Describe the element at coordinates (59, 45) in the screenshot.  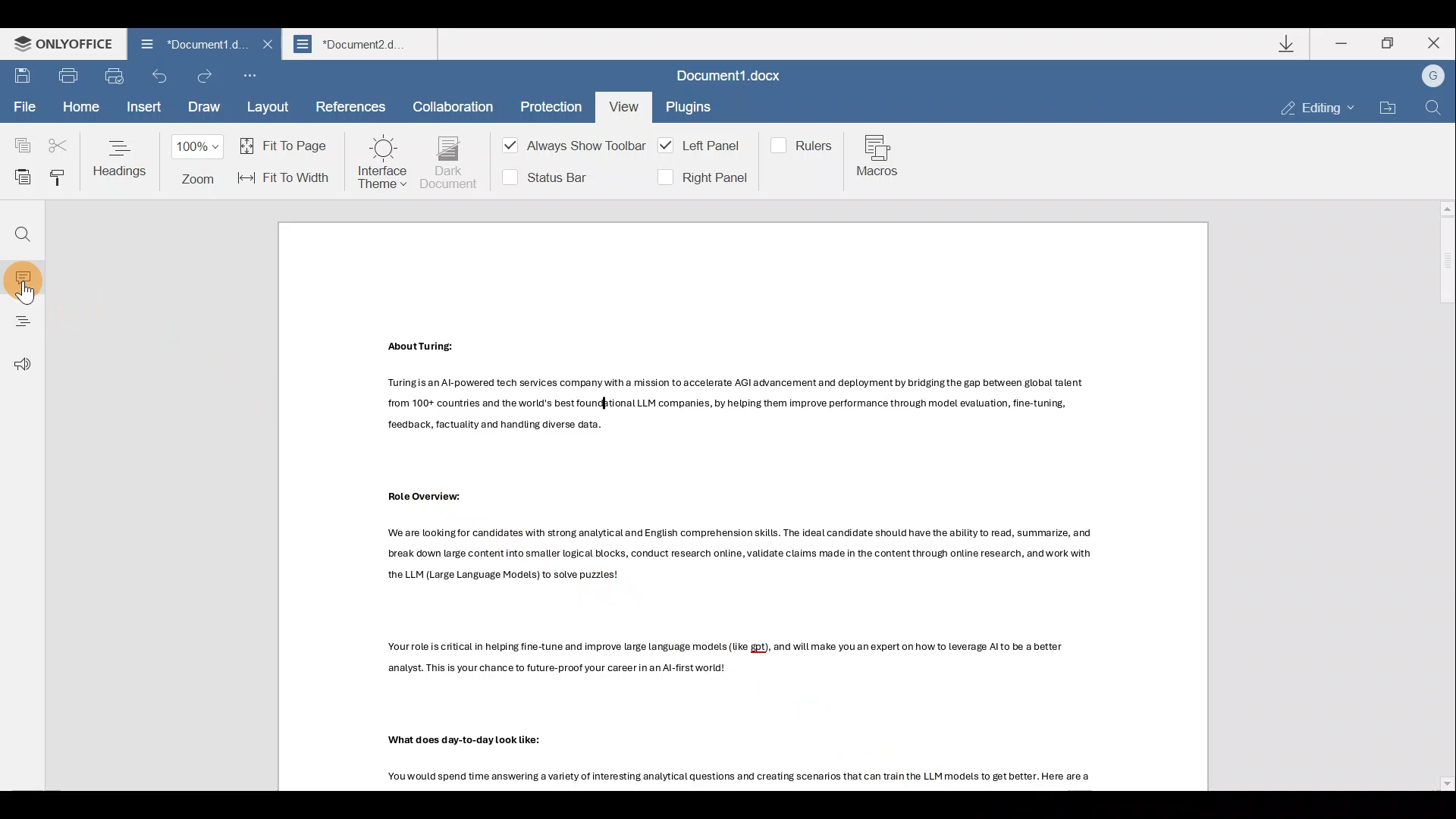
I see `ONLYOFFICE` at that location.